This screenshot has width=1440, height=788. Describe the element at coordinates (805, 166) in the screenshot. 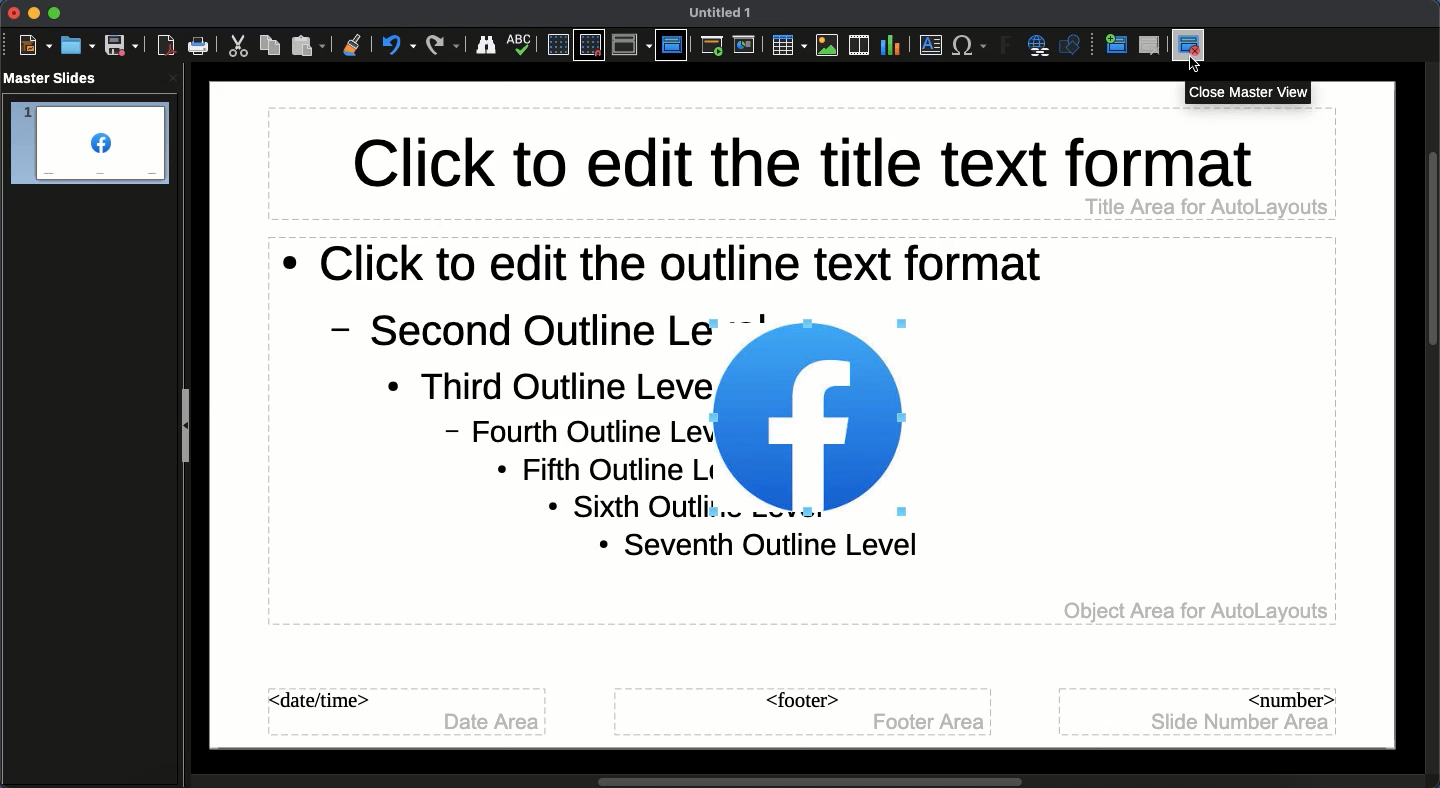

I see `Master slide title` at that location.